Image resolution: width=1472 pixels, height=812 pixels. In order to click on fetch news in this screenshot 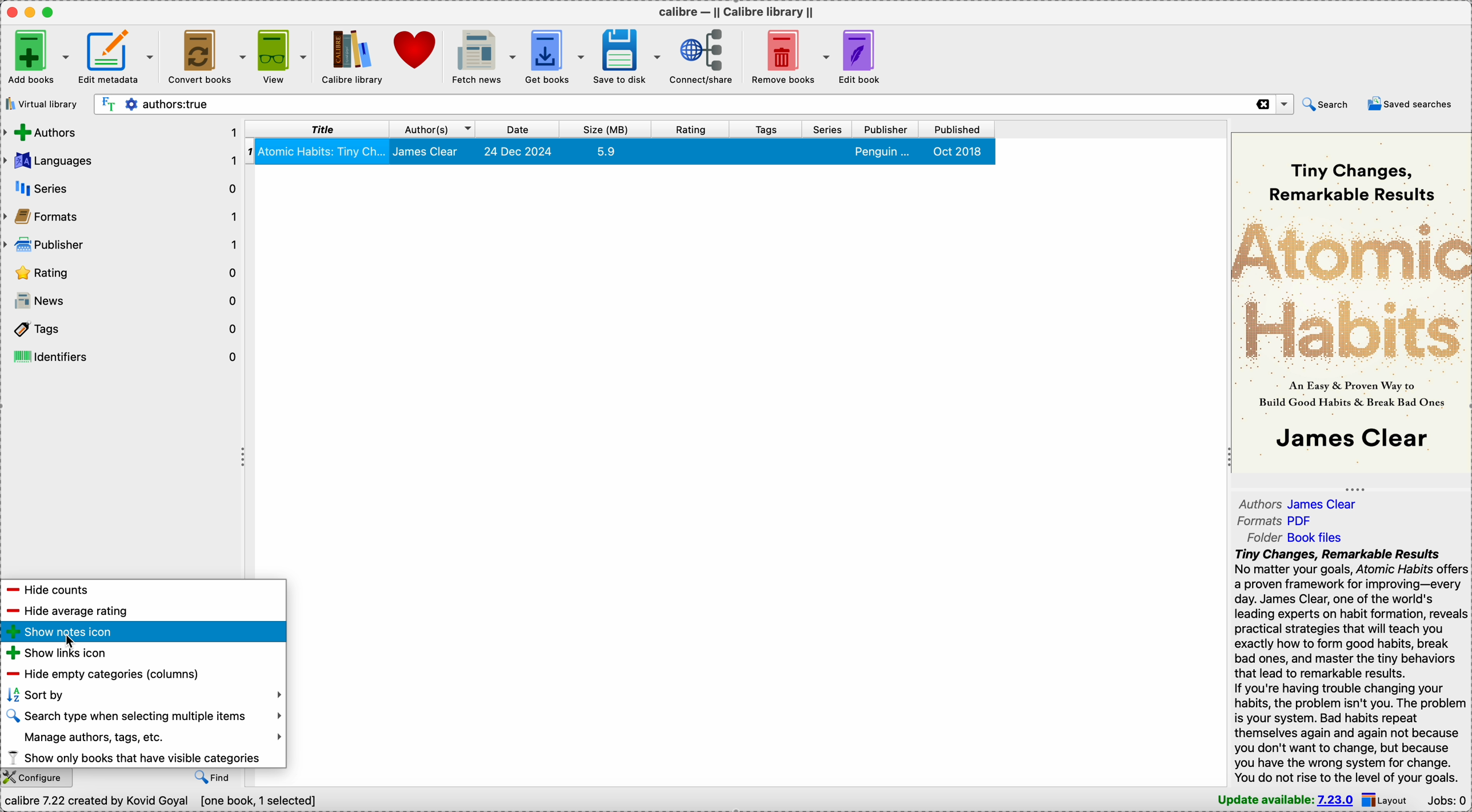, I will do `click(482, 58)`.